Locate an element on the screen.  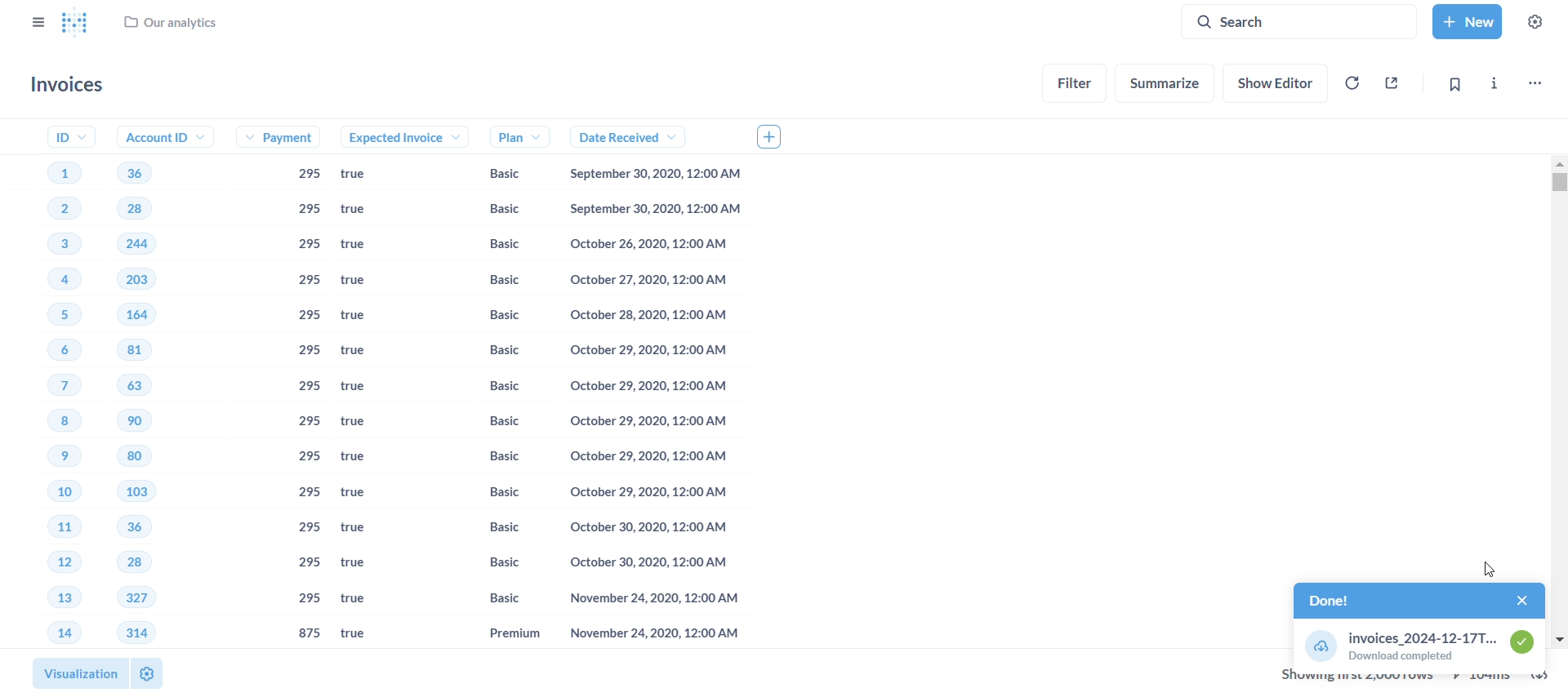
2 is located at coordinates (52, 211).